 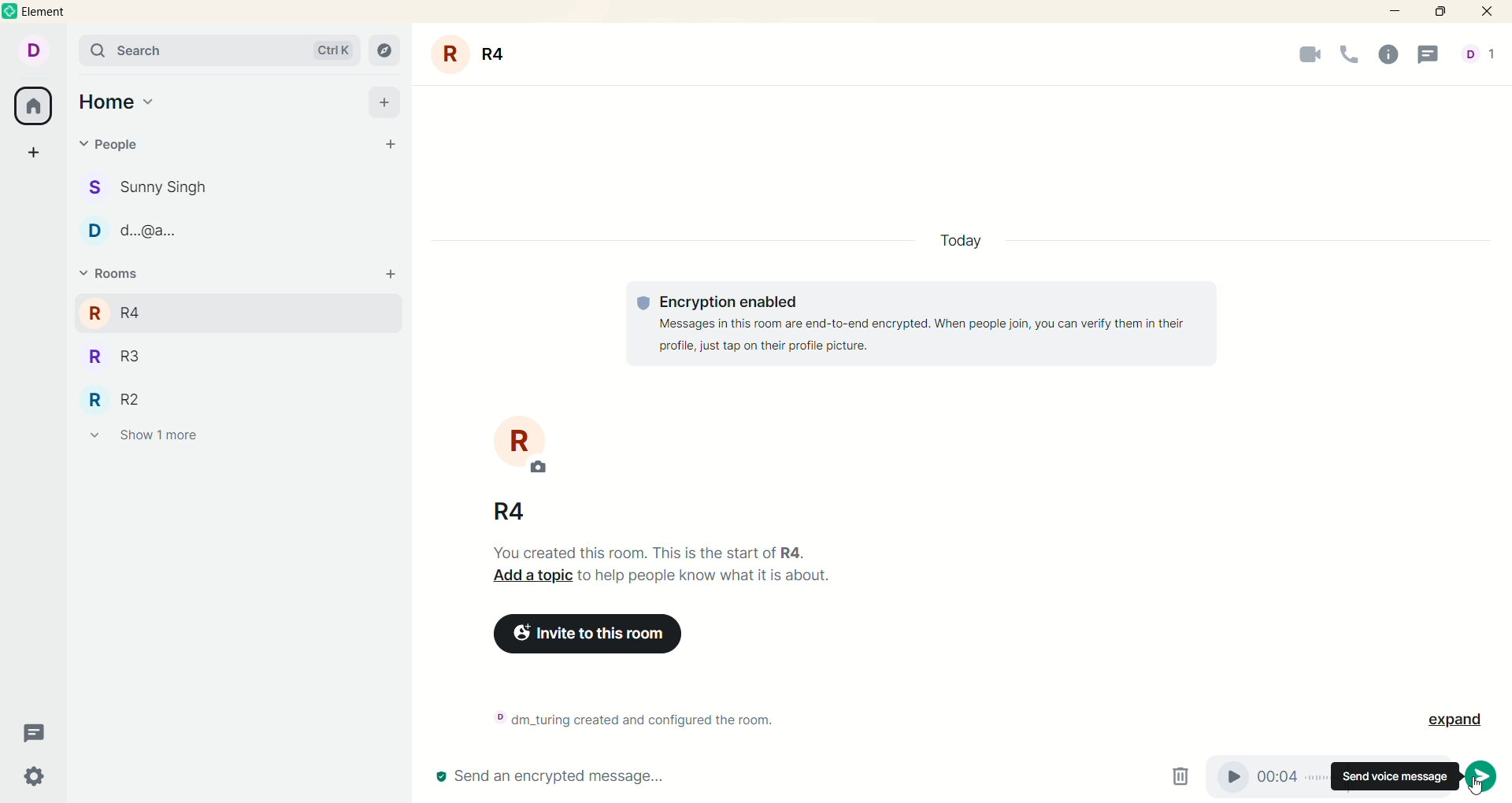 I want to click on room, so click(x=522, y=443).